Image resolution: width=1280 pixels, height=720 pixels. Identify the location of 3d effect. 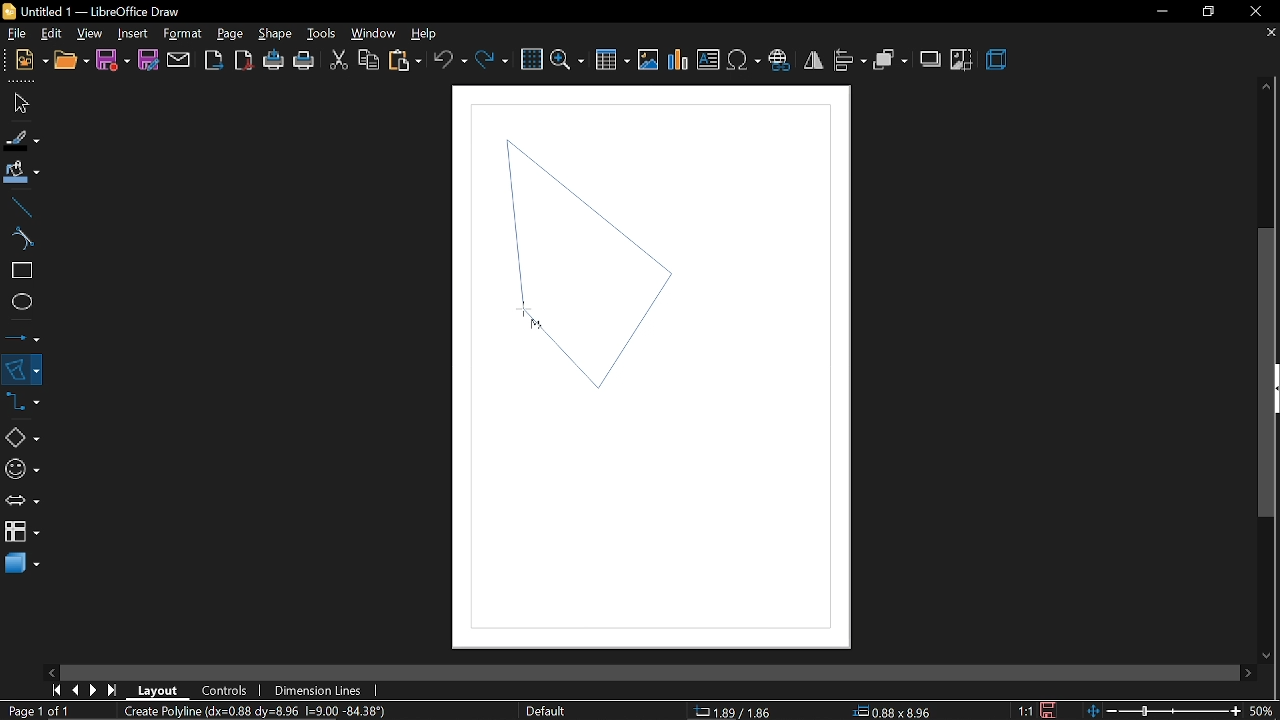
(997, 60).